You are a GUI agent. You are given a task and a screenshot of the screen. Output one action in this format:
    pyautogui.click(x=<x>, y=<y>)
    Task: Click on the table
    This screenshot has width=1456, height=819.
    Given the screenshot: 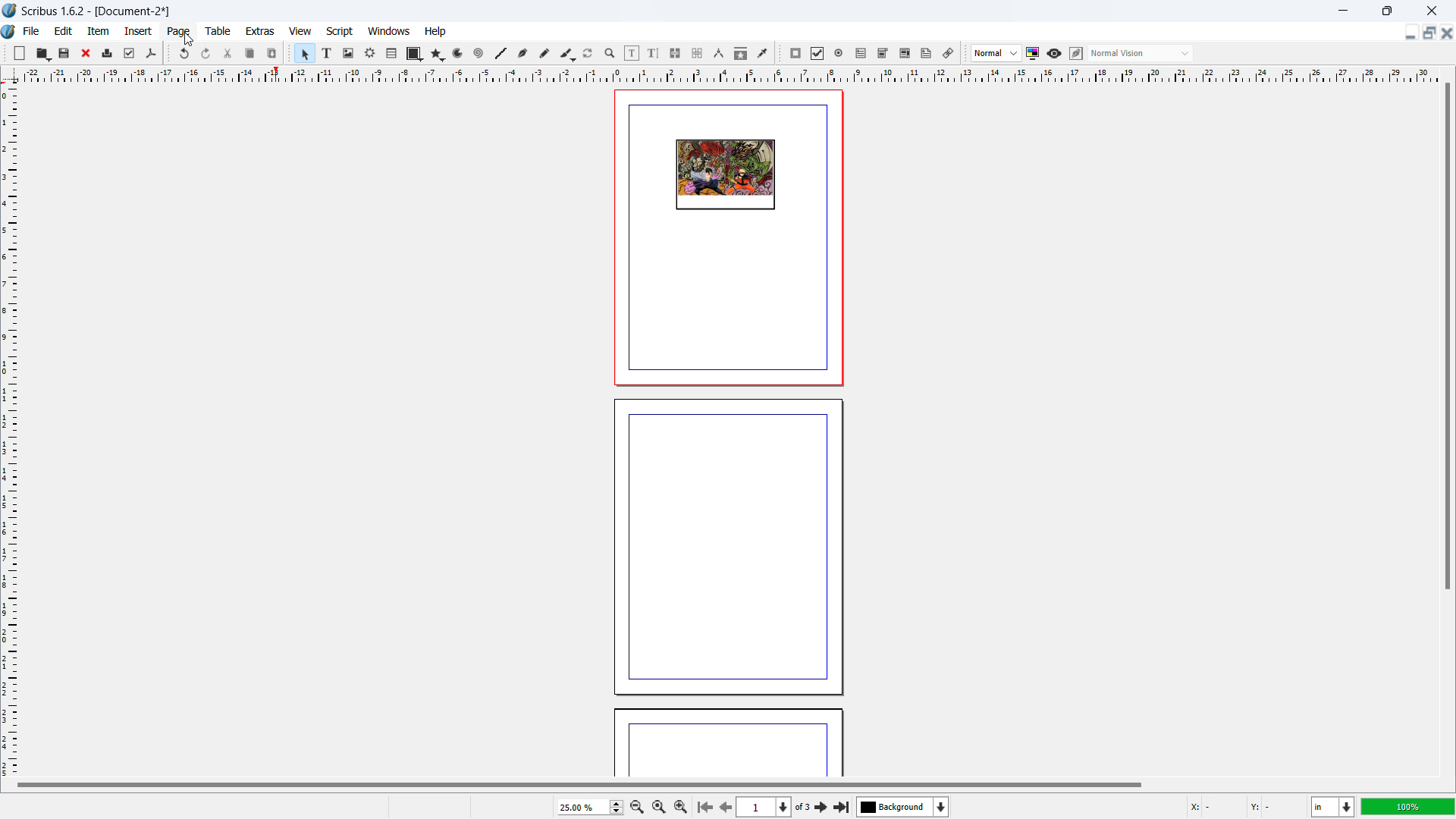 What is the action you would take?
    pyautogui.click(x=218, y=31)
    